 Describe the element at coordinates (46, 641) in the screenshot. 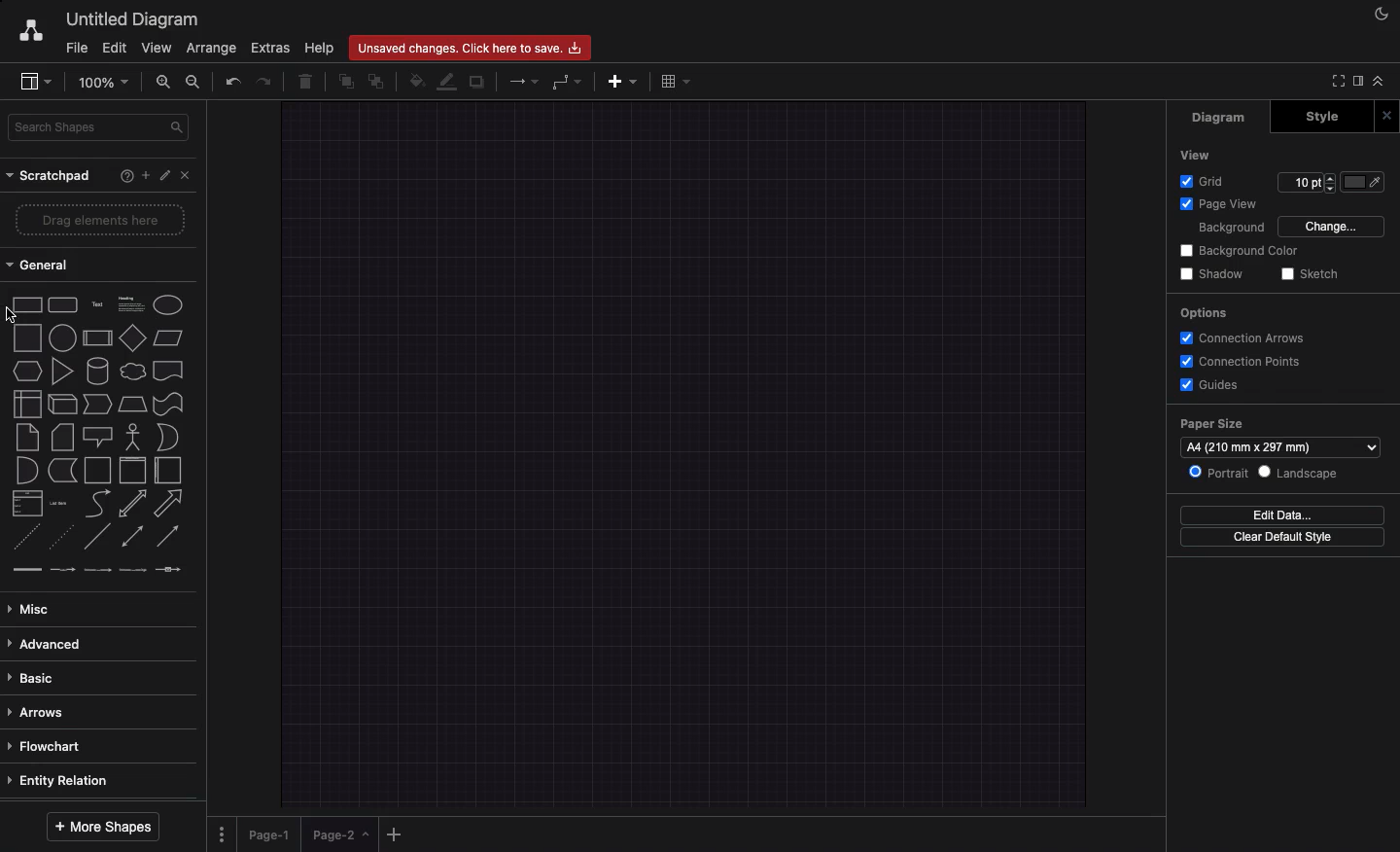

I see `Advanced` at that location.